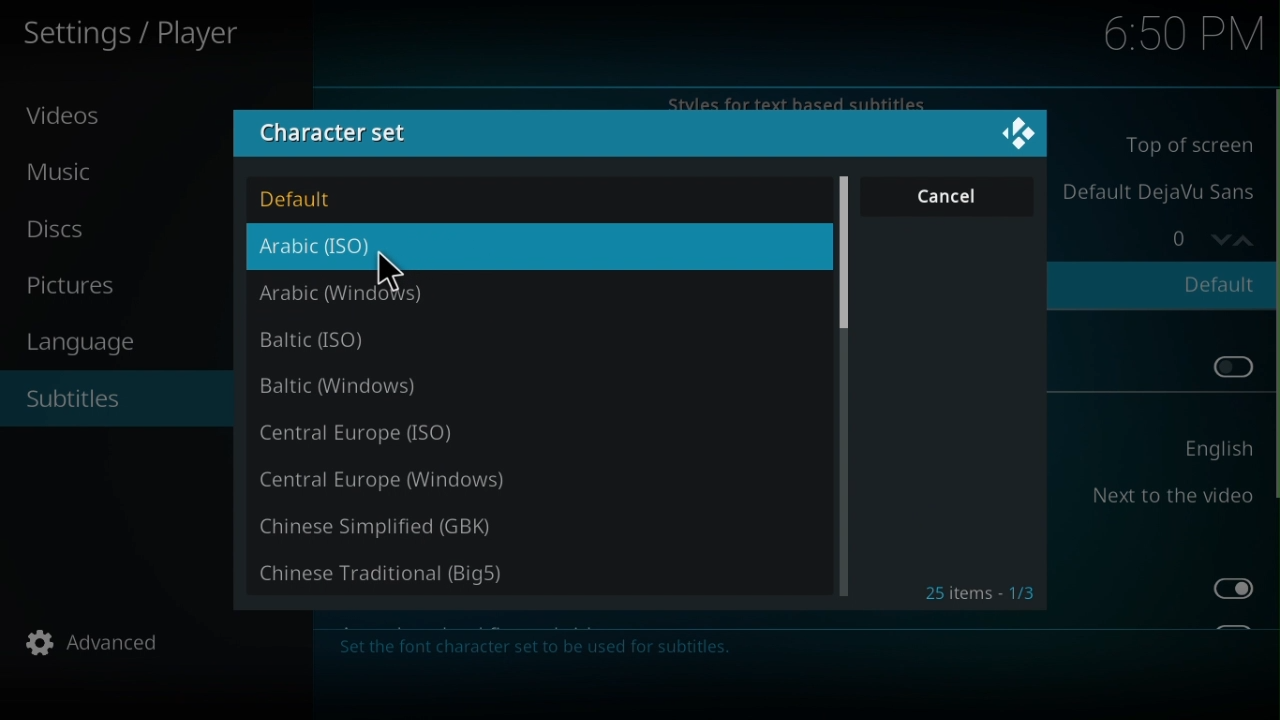  What do you see at coordinates (394, 245) in the screenshot?
I see `Arabic (ISO)` at bounding box center [394, 245].